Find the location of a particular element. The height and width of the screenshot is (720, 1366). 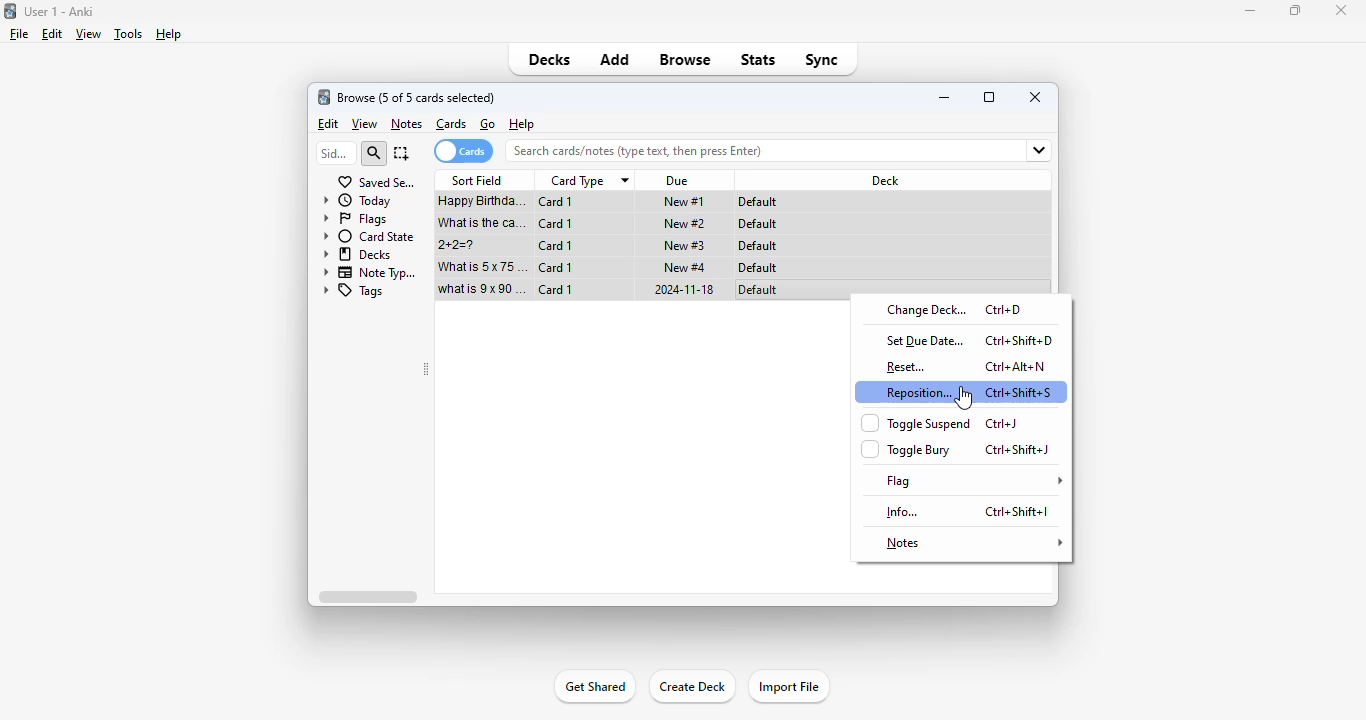

select formatting to remove is located at coordinates (1037, 429).